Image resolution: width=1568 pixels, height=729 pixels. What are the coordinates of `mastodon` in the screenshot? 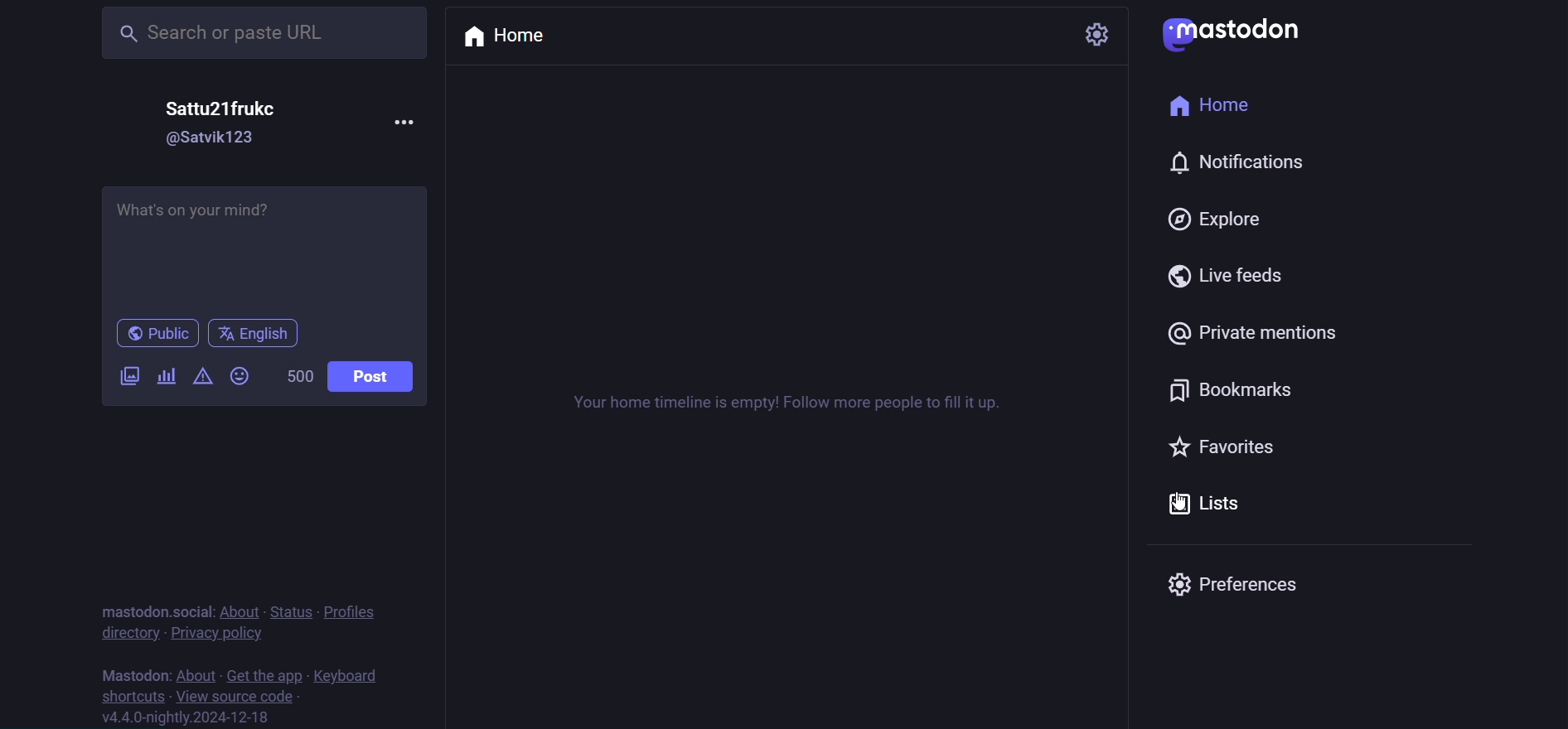 It's located at (136, 672).